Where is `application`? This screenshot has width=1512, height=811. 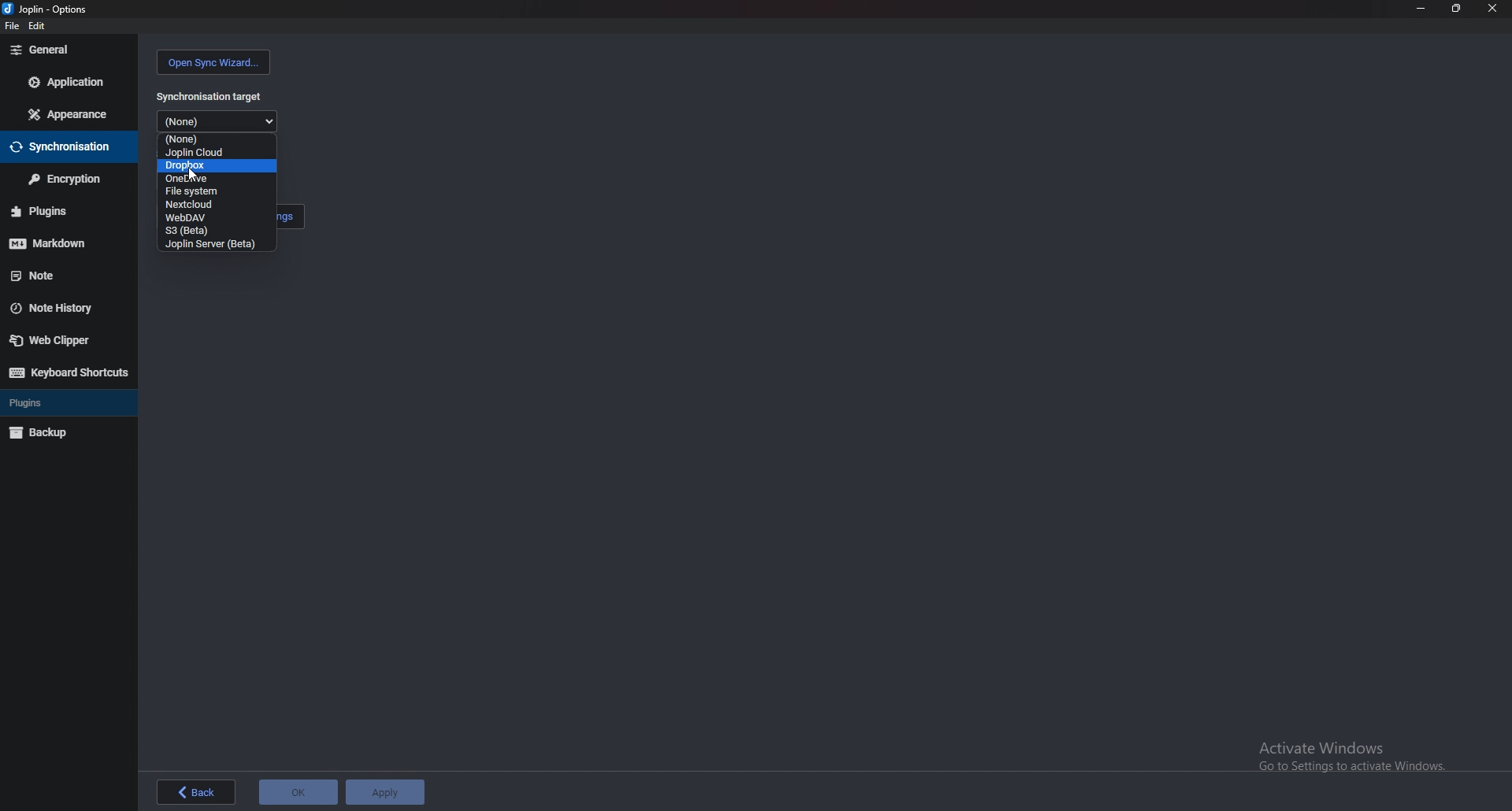 application is located at coordinates (69, 80).